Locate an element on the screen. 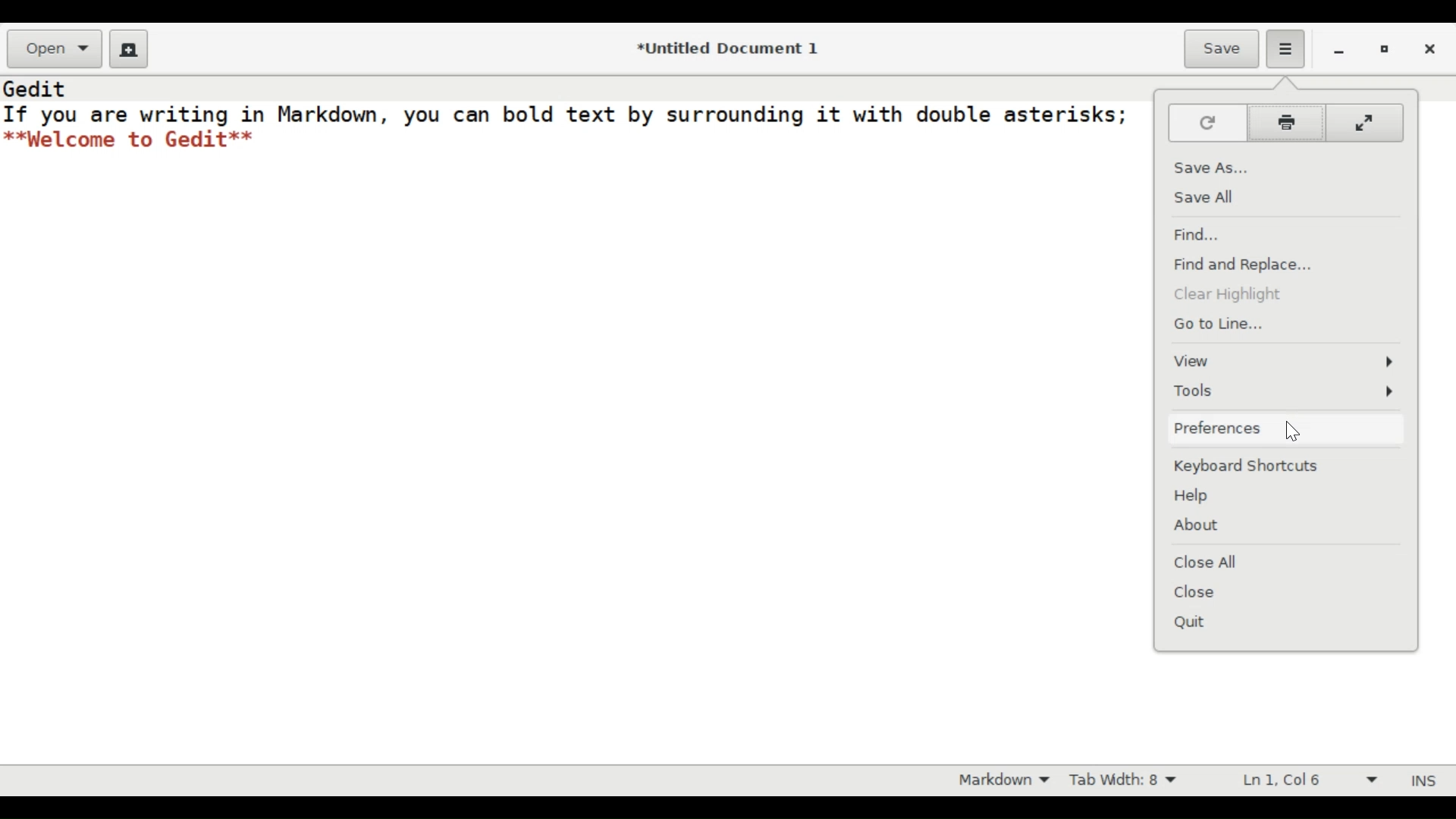  If you are writing in Markdown, you can bold text by surrounding it with double asterisks; is located at coordinates (566, 113).